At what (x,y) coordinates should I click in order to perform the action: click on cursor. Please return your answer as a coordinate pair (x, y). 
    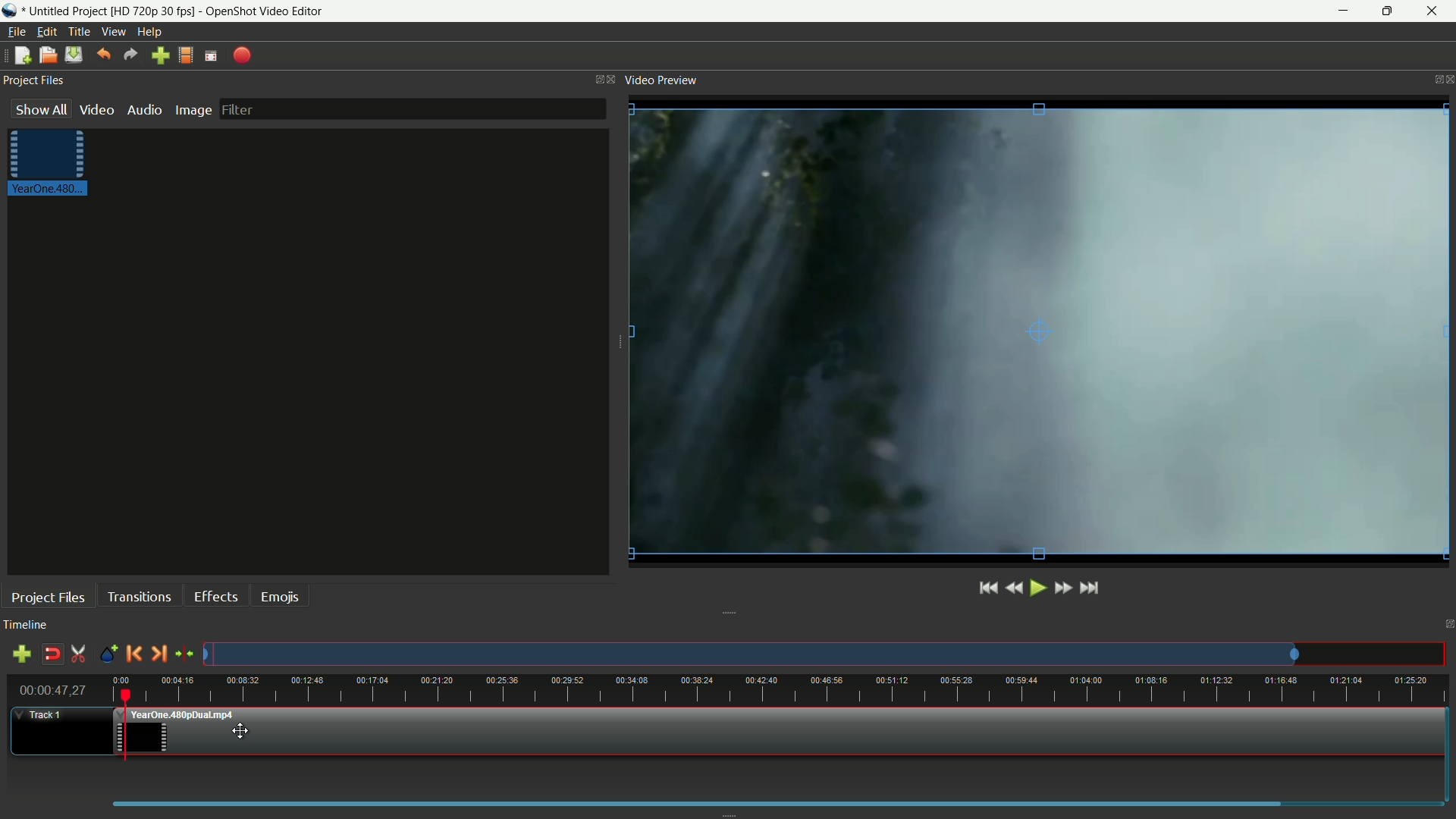
    Looking at the image, I should click on (242, 729).